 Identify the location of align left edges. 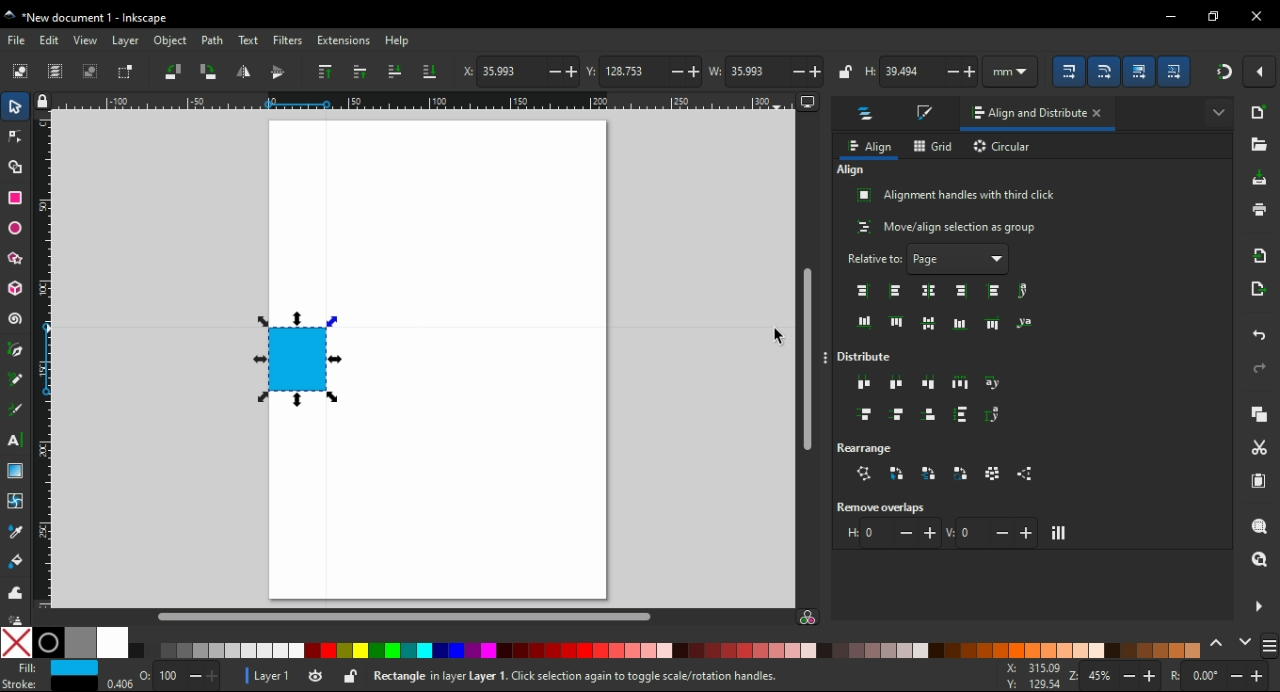
(897, 290).